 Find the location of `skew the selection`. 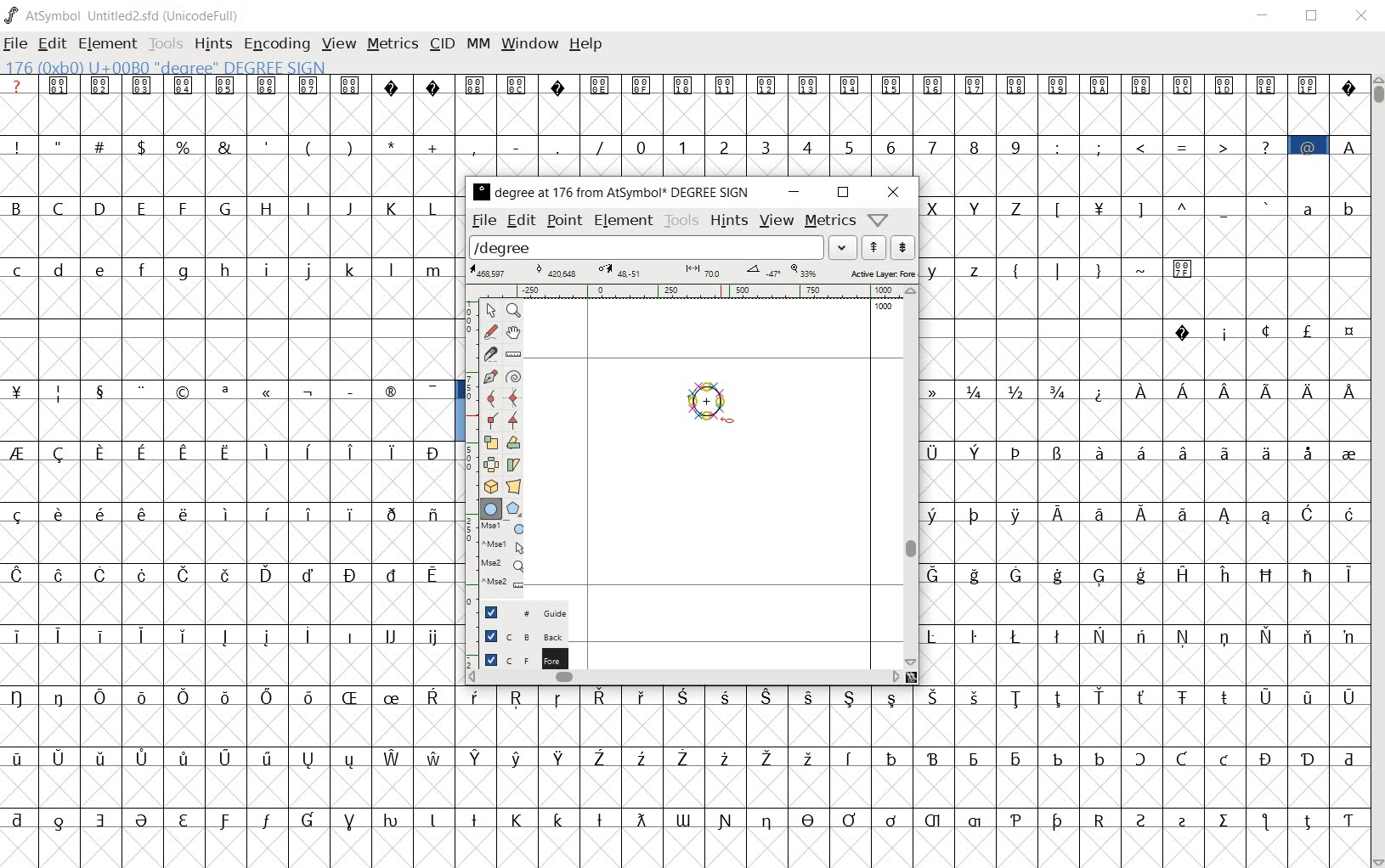

skew the selection is located at coordinates (513, 465).